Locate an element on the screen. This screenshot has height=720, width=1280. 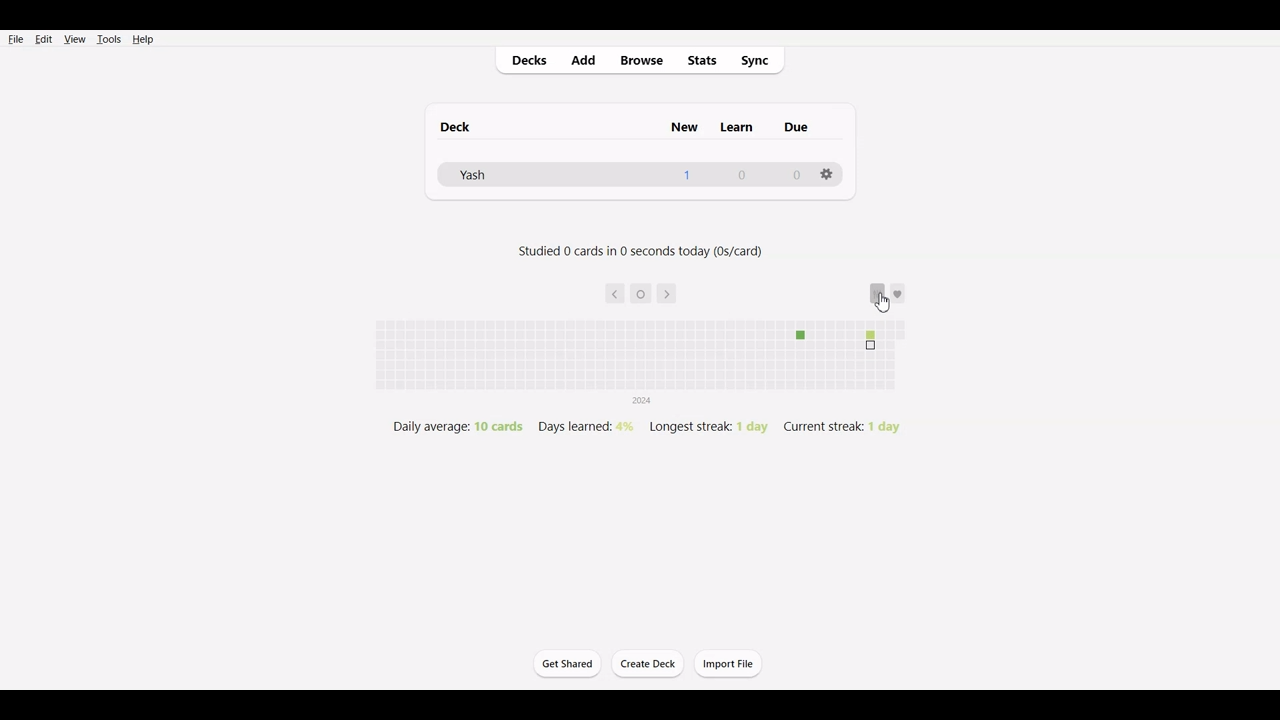
Get Started is located at coordinates (566, 663).